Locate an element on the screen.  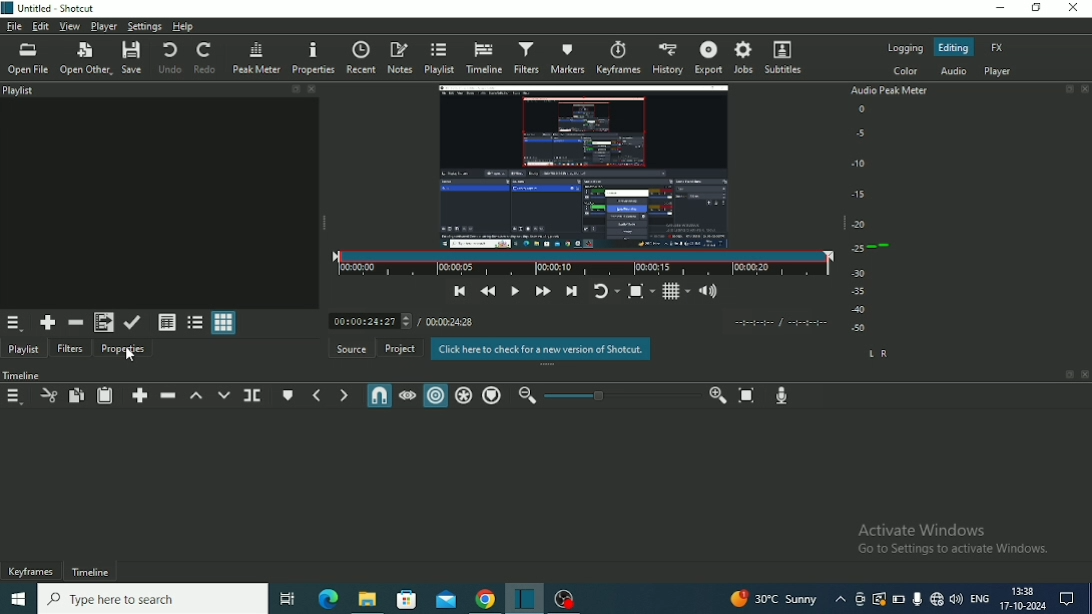
Google Chrome is located at coordinates (483, 600).